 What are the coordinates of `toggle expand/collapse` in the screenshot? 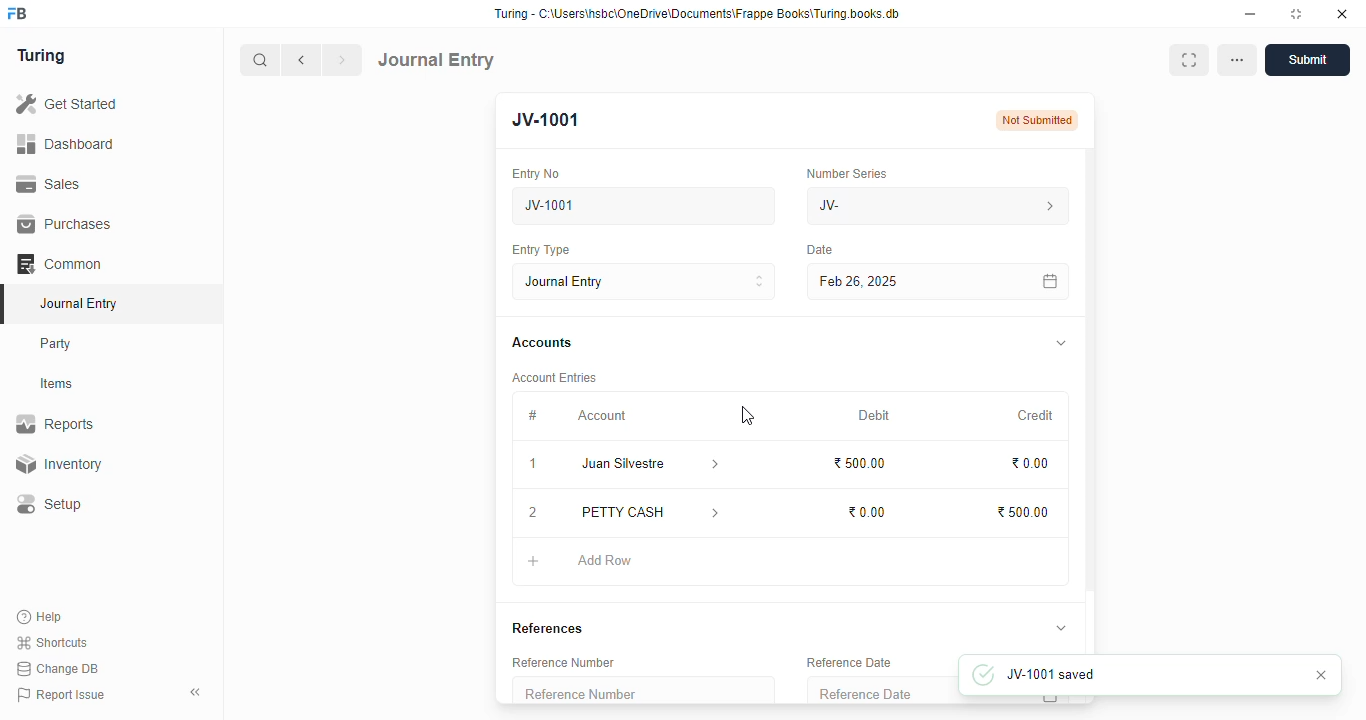 It's located at (1062, 344).